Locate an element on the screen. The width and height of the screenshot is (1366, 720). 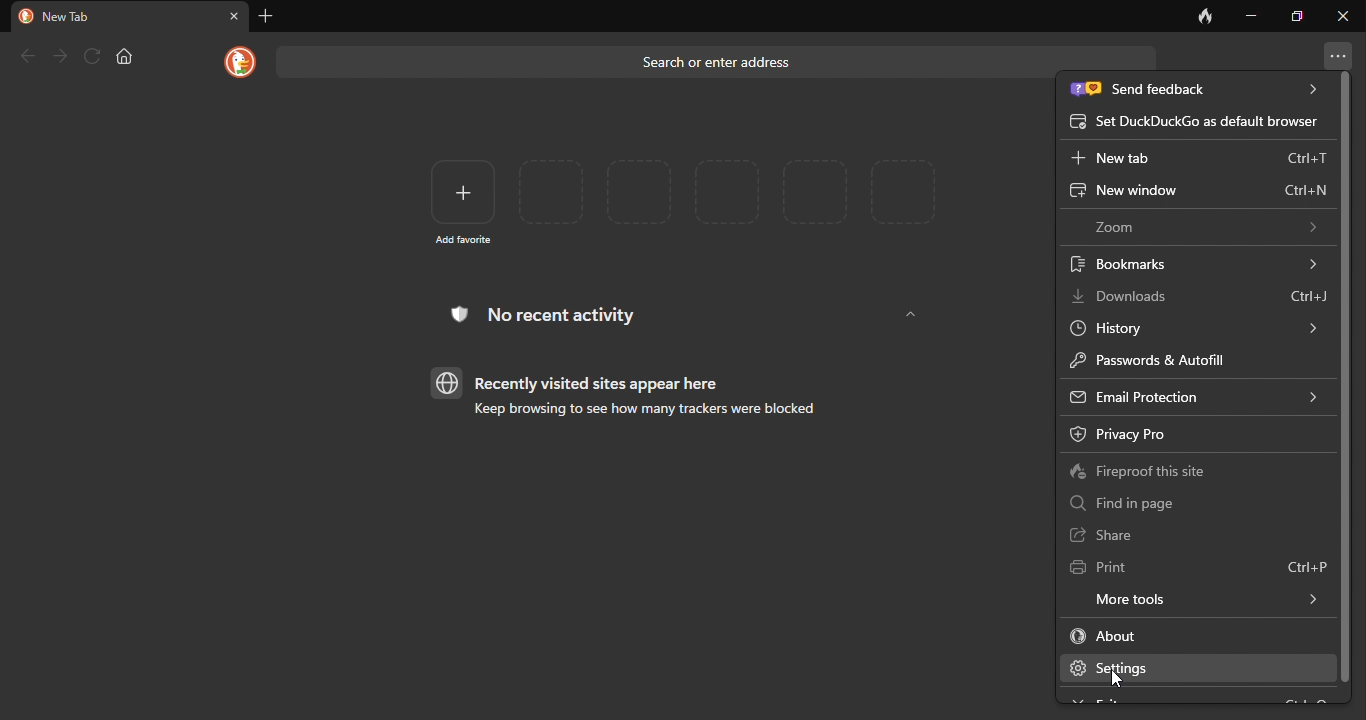
back is located at coordinates (26, 56).